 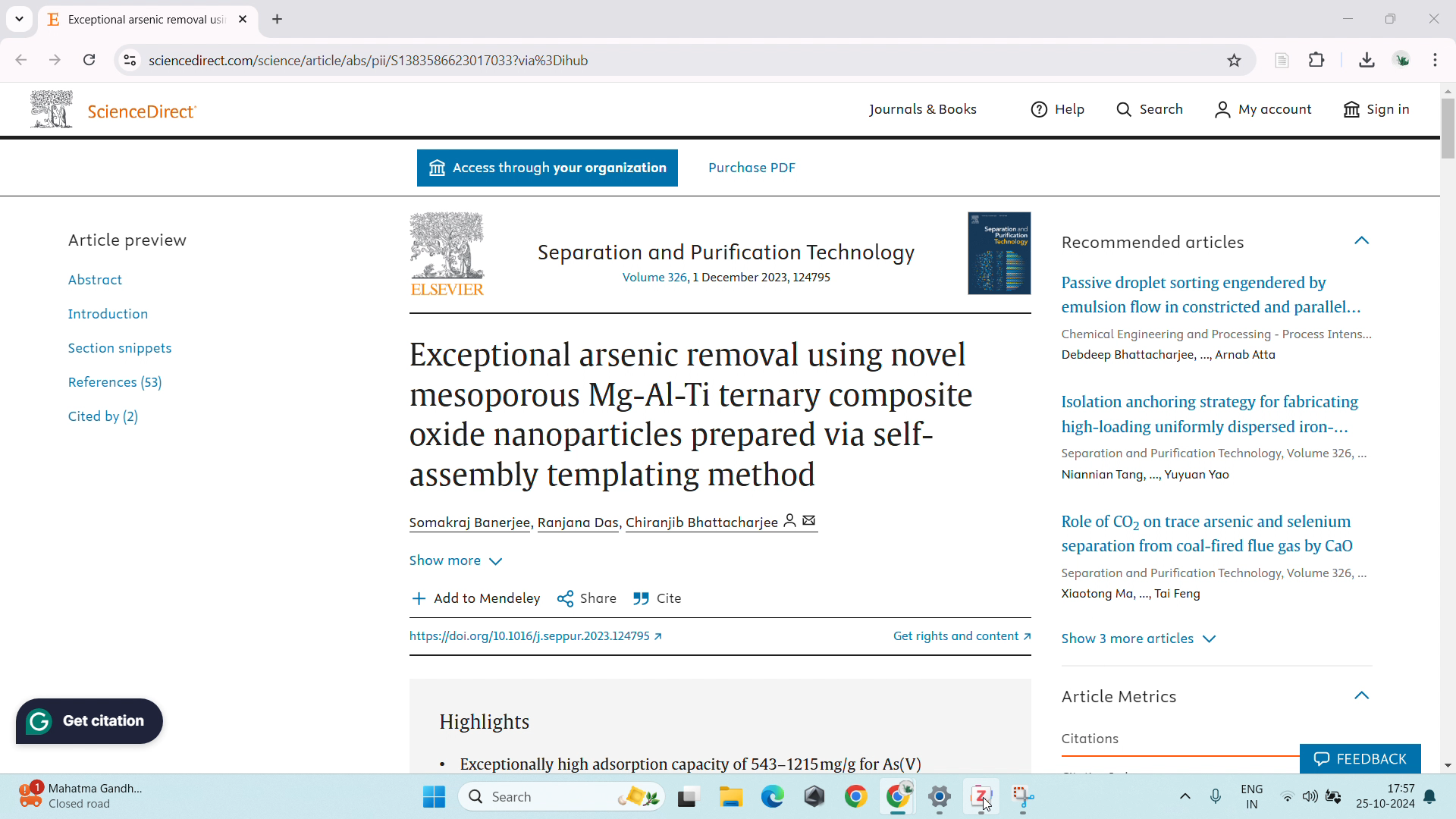 What do you see at coordinates (1367, 690) in the screenshot?
I see `Hide` at bounding box center [1367, 690].